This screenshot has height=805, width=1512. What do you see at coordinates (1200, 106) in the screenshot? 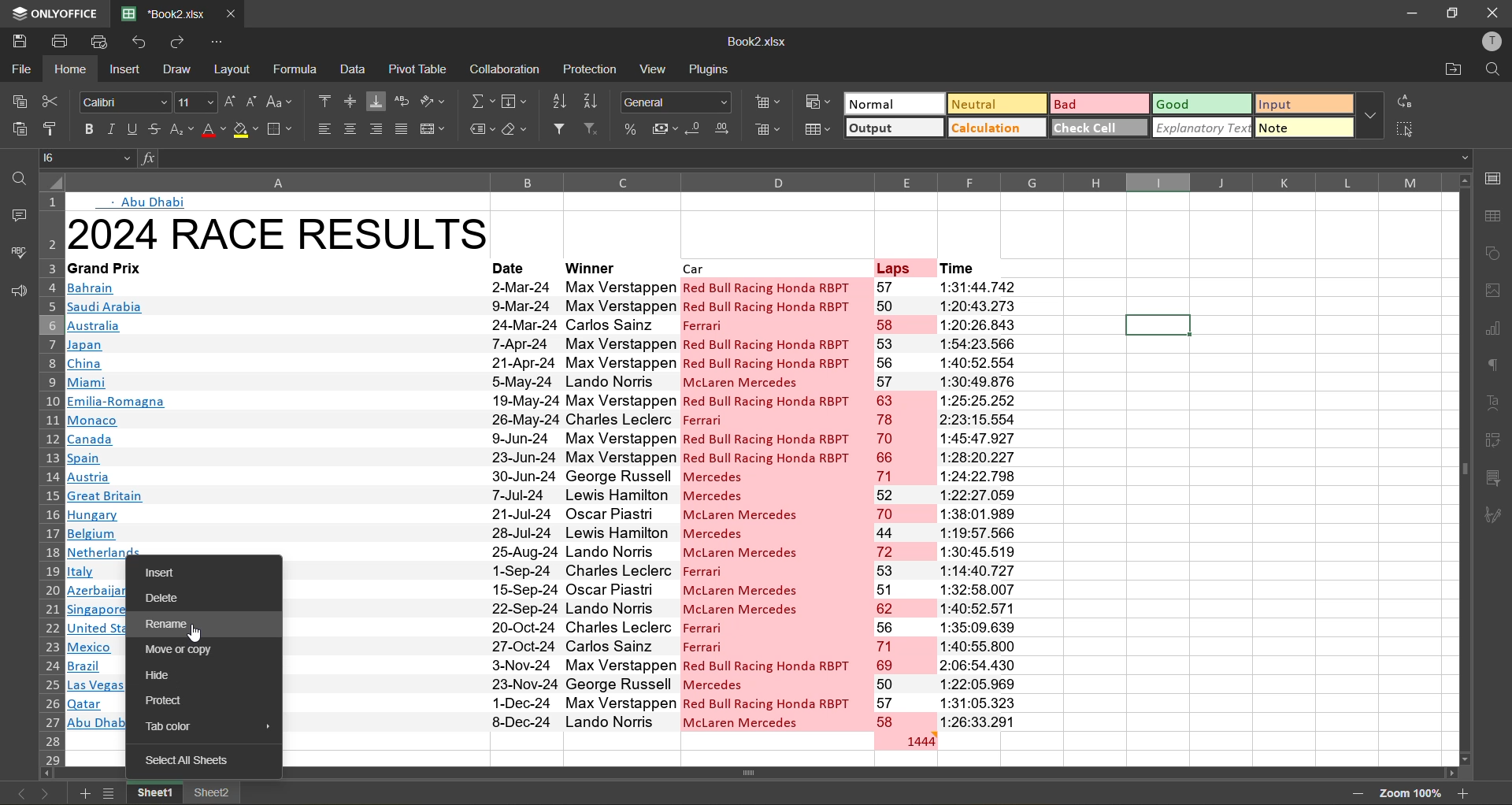
I see `good` at bounding box center [1200, 106].